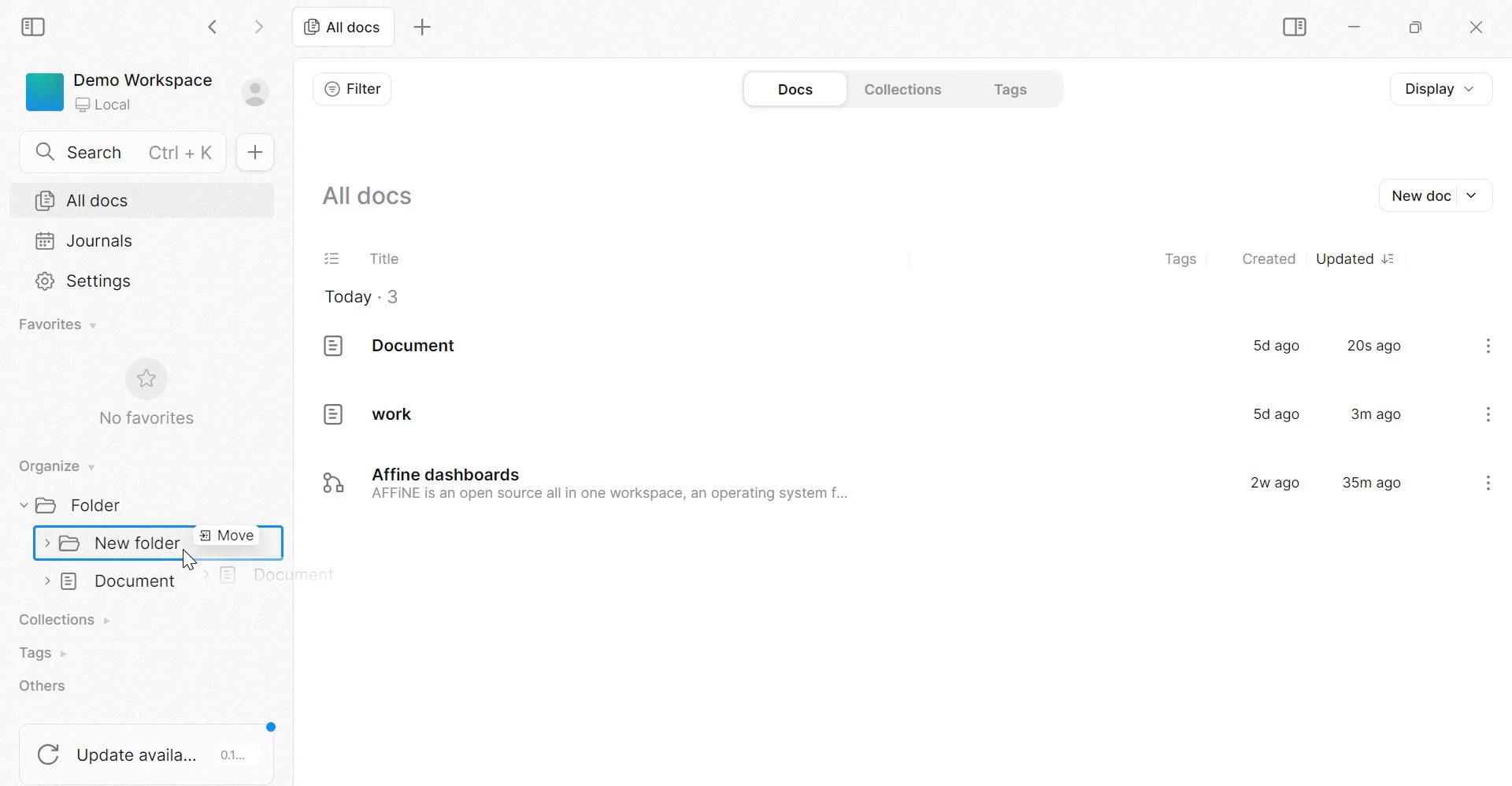 The width and height of the screenshot is (1512, 786). Describe the element at coordinates (370, 196) in the screenshot. I see `All docs` at that location.